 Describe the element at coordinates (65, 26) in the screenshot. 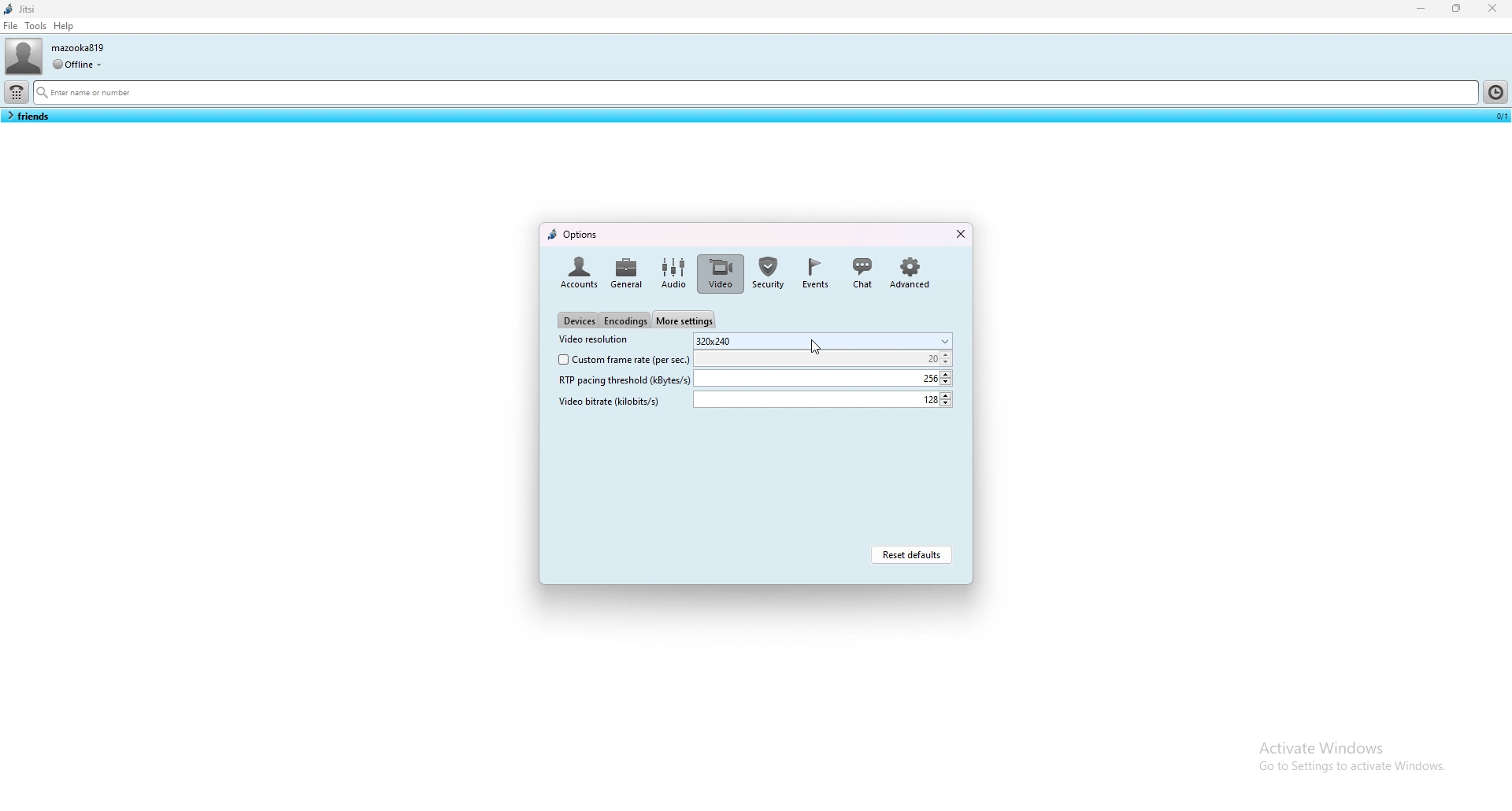

I see `help` at that location.